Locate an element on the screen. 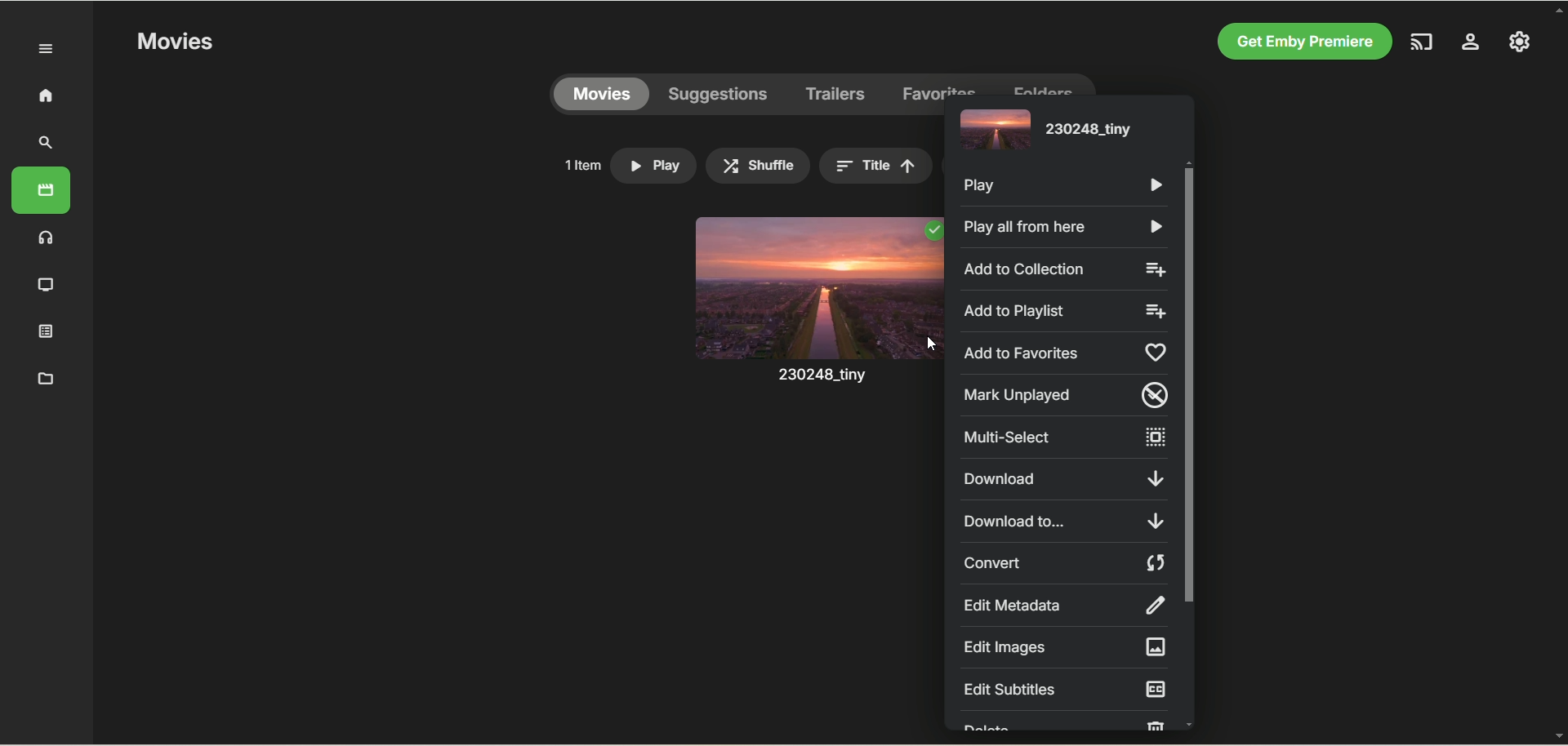 Image resolution: width=1568 pixels, height=746 pixels. multi-select is located at coordinates (1062, 437).